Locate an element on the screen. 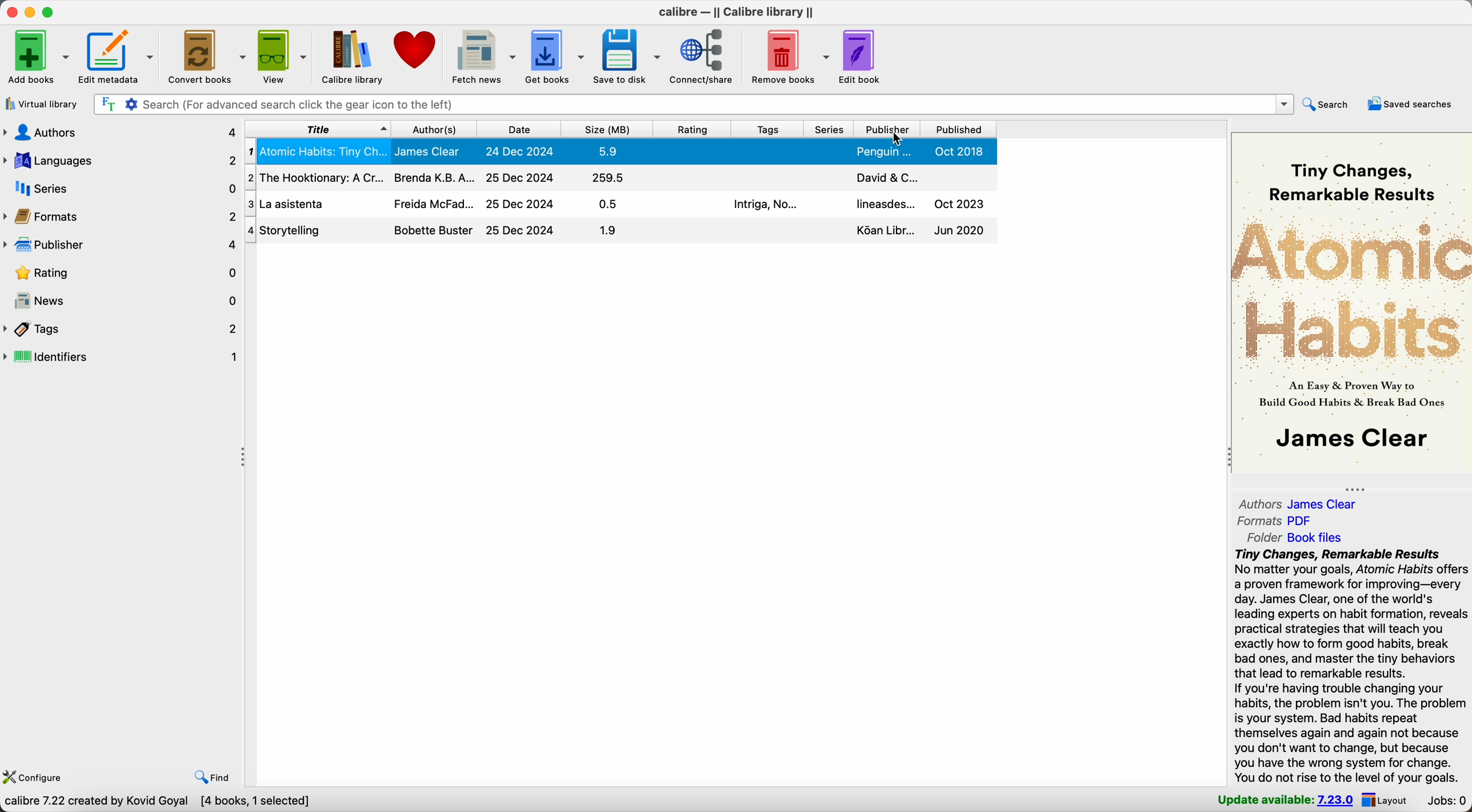 This screenshot has width=1472, height=812. 1.9 is located at coordinates (610, 229).